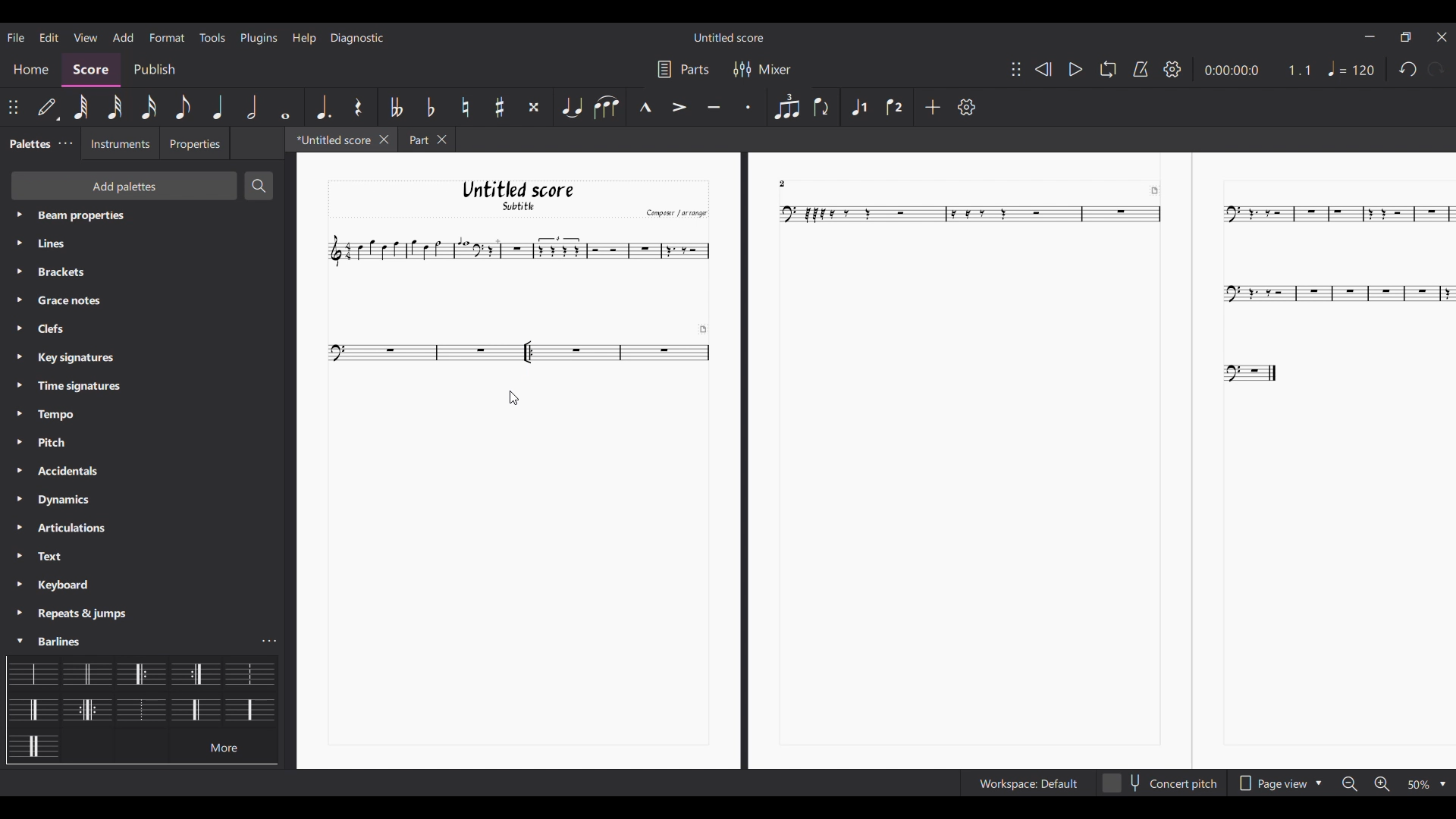  Describe the element at coordinates (1075, 69) in the screenshot. I see `Play` at that location.